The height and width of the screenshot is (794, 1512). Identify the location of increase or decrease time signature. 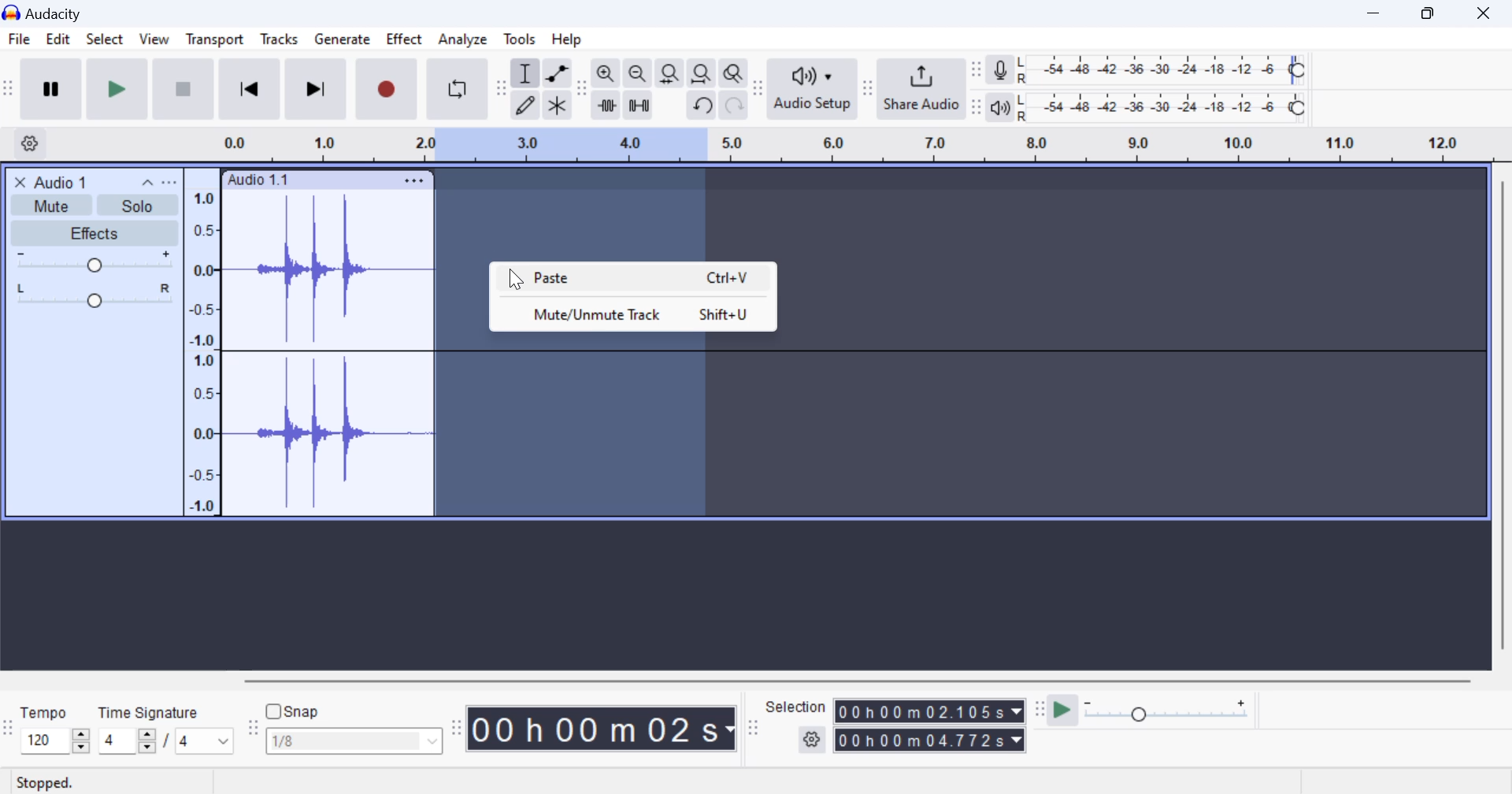
(127, 741).